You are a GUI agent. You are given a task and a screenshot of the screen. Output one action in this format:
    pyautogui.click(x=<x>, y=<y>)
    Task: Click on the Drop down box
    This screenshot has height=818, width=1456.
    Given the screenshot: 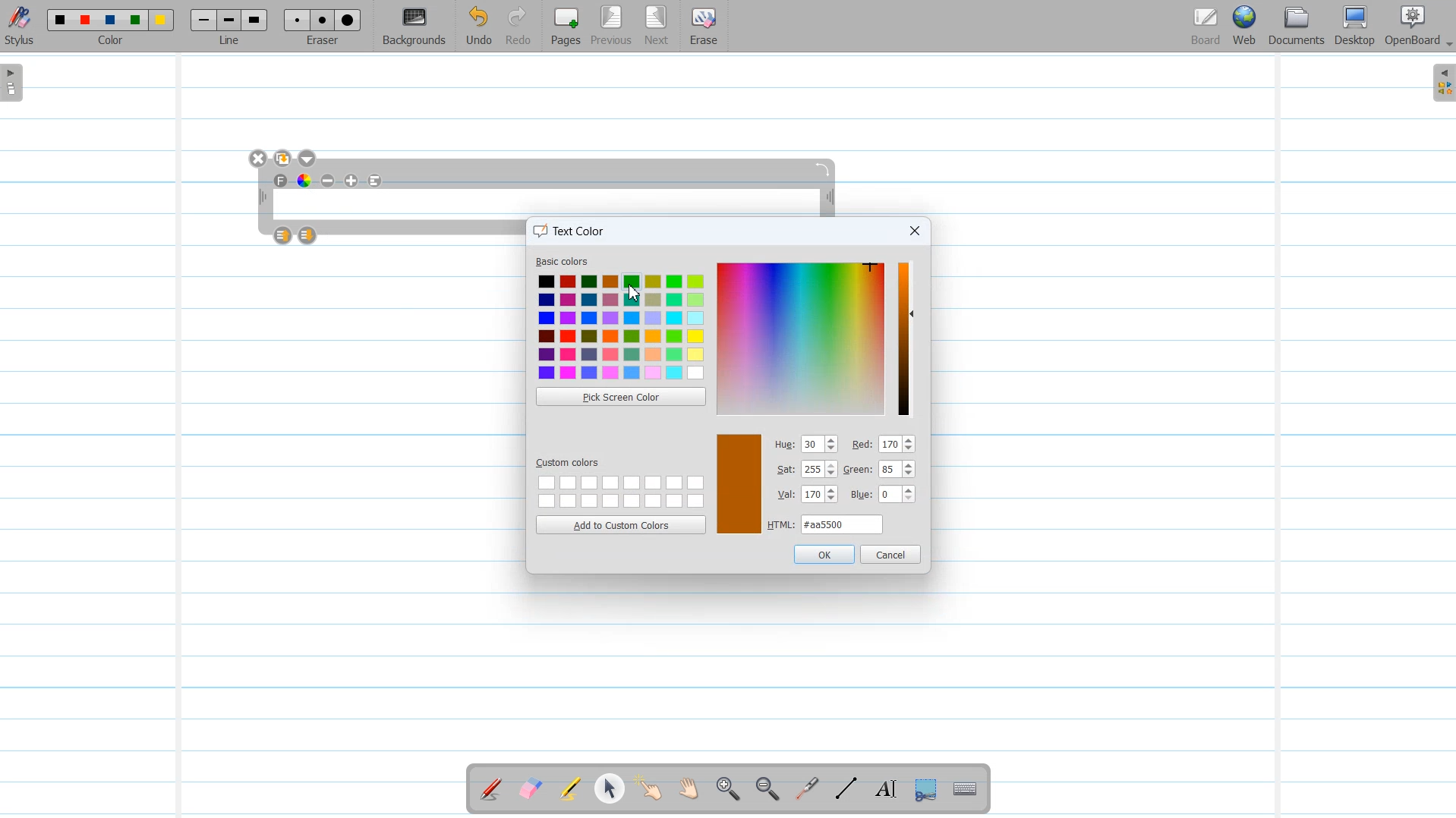 What is the action you would take?
    pyautogui.click(x=309, y=159)
    